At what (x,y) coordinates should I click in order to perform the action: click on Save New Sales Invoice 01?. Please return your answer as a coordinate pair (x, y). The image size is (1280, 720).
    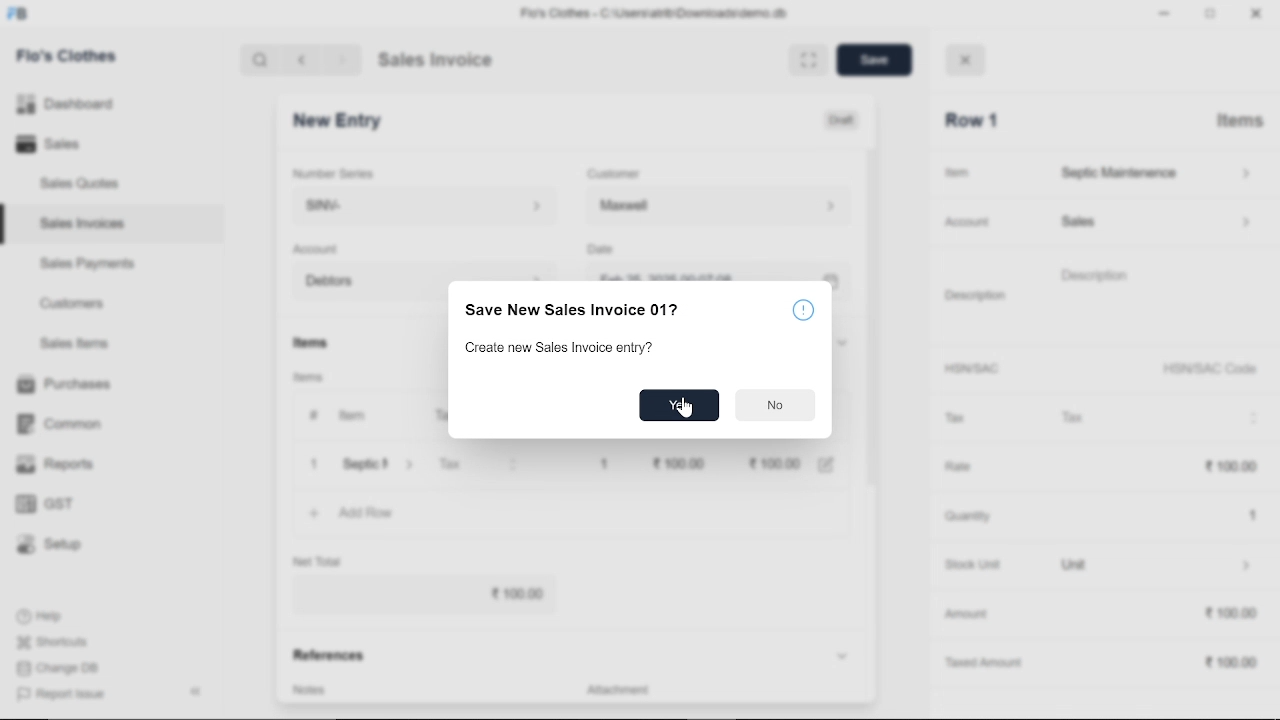
    Looking at the image, I should click on (578, 310).